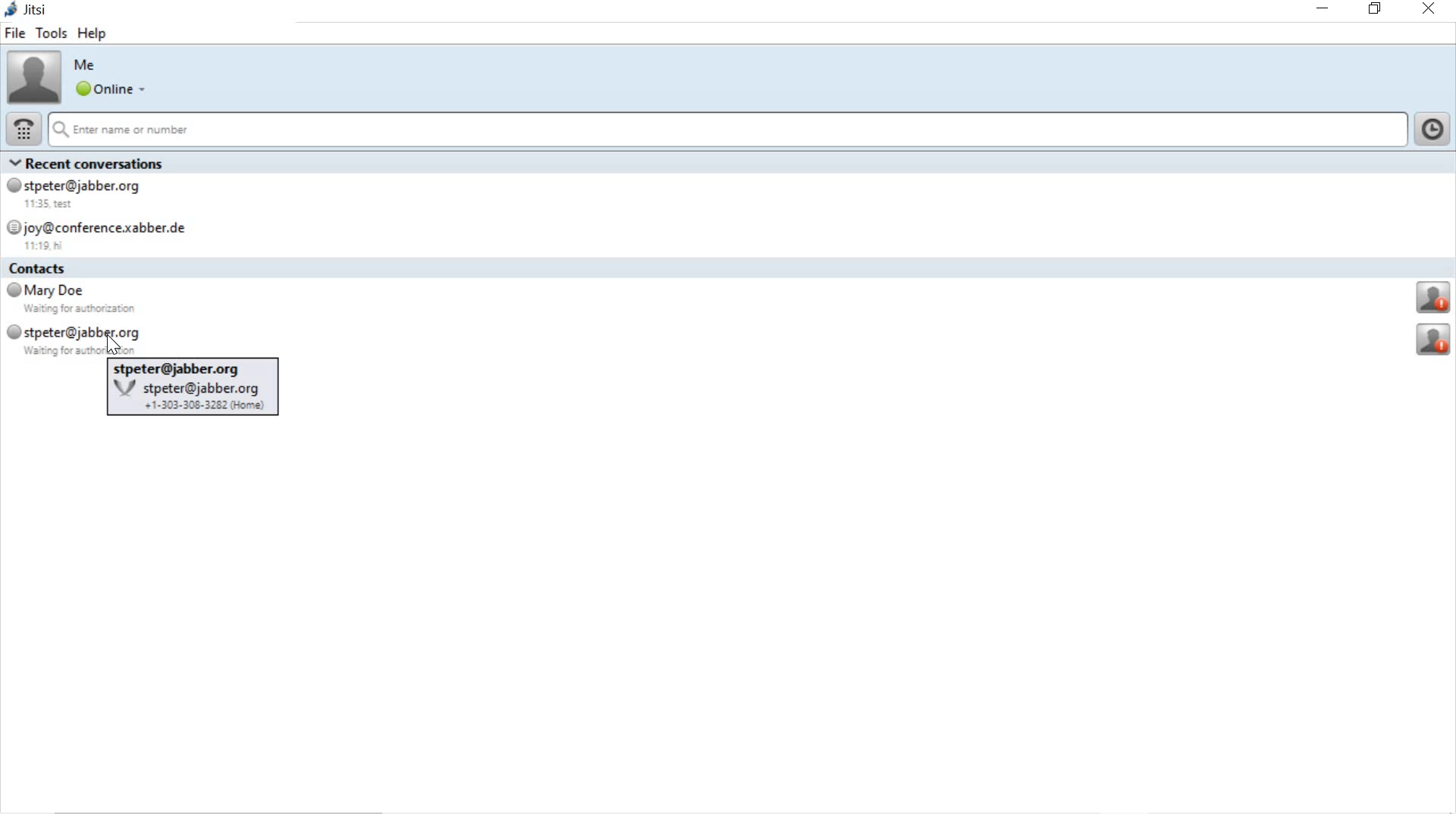 The width and height of the screenshot is (1456, 814). Describe the element at coordinates (52, 33) in the screenshot. I see `tools` at that location.